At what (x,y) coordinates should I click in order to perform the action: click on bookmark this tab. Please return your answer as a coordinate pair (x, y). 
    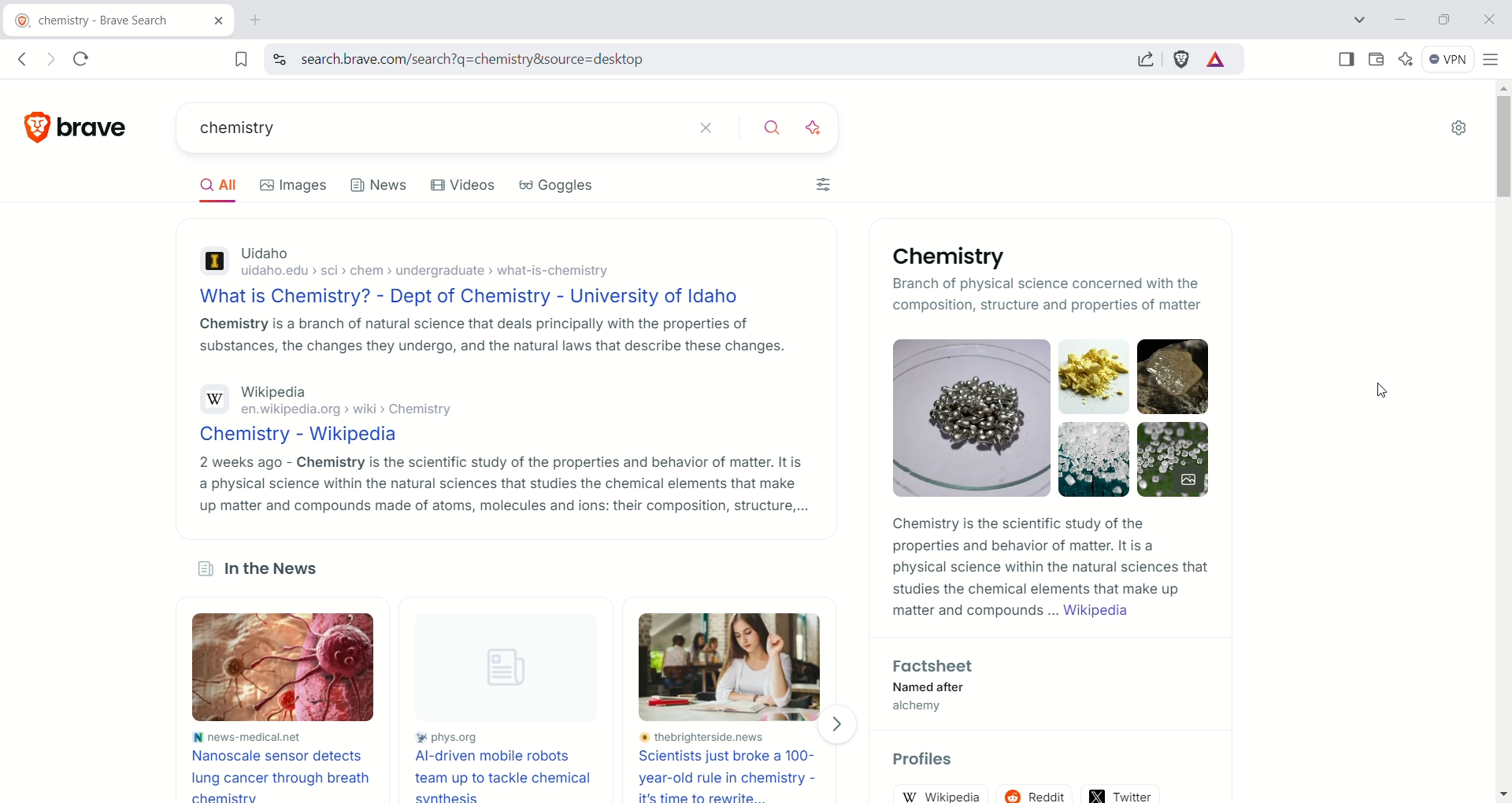
    Looking at the image, I should click on (242, 58).